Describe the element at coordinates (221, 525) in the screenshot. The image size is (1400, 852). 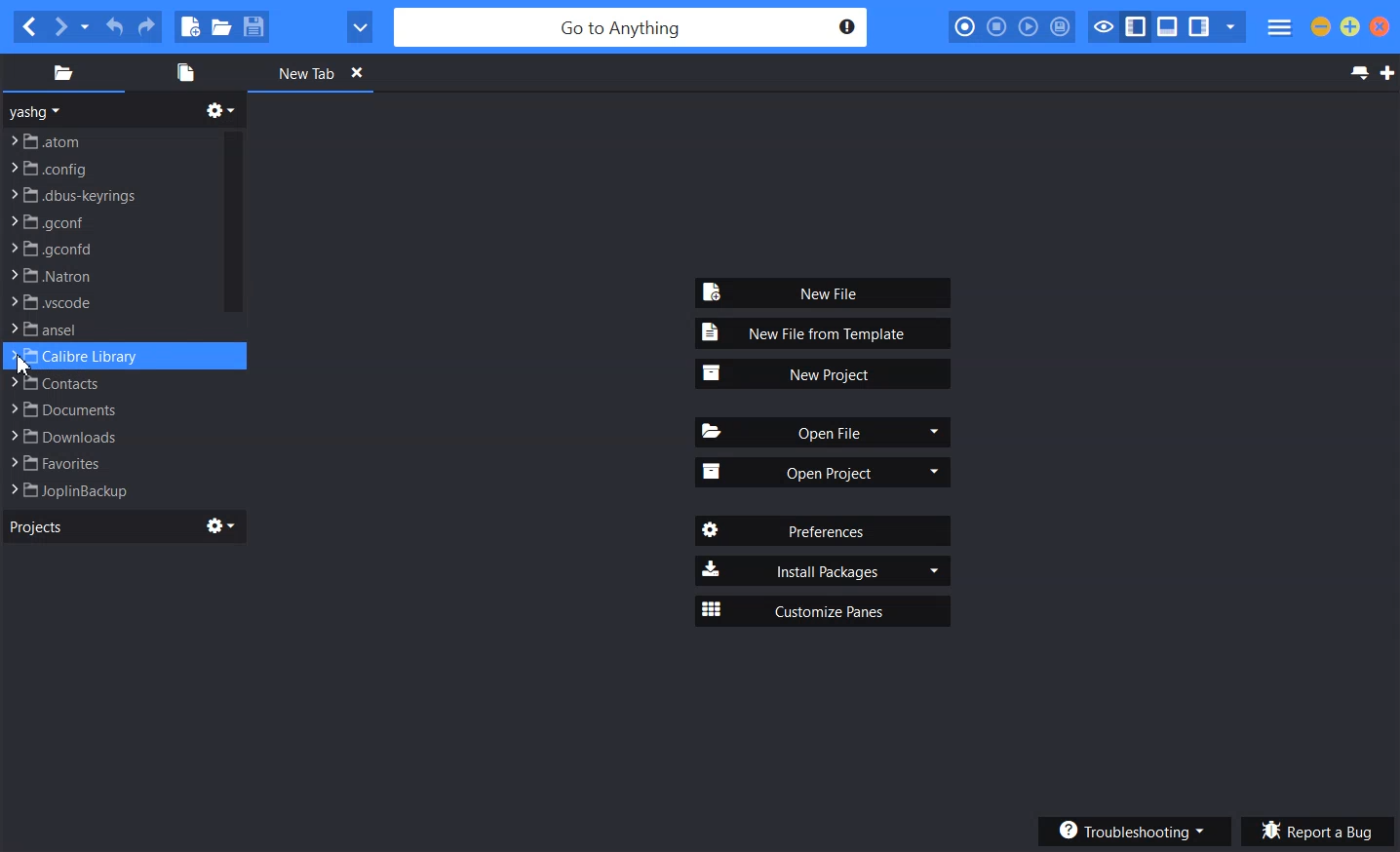
I see `Settings` at that location.